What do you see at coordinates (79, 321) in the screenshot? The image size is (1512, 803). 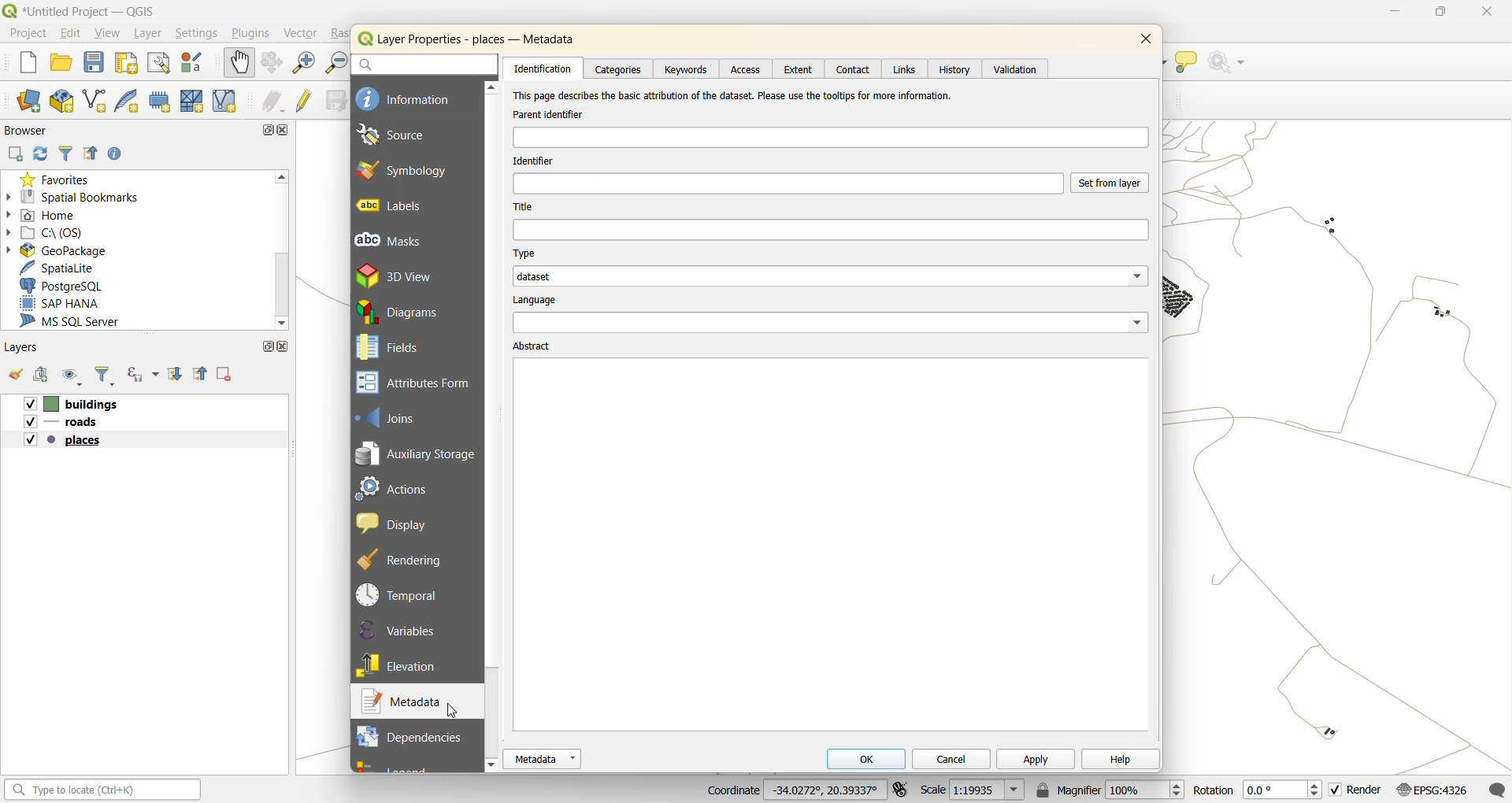 I see `ms sql server` at bounding box center [79, 321].